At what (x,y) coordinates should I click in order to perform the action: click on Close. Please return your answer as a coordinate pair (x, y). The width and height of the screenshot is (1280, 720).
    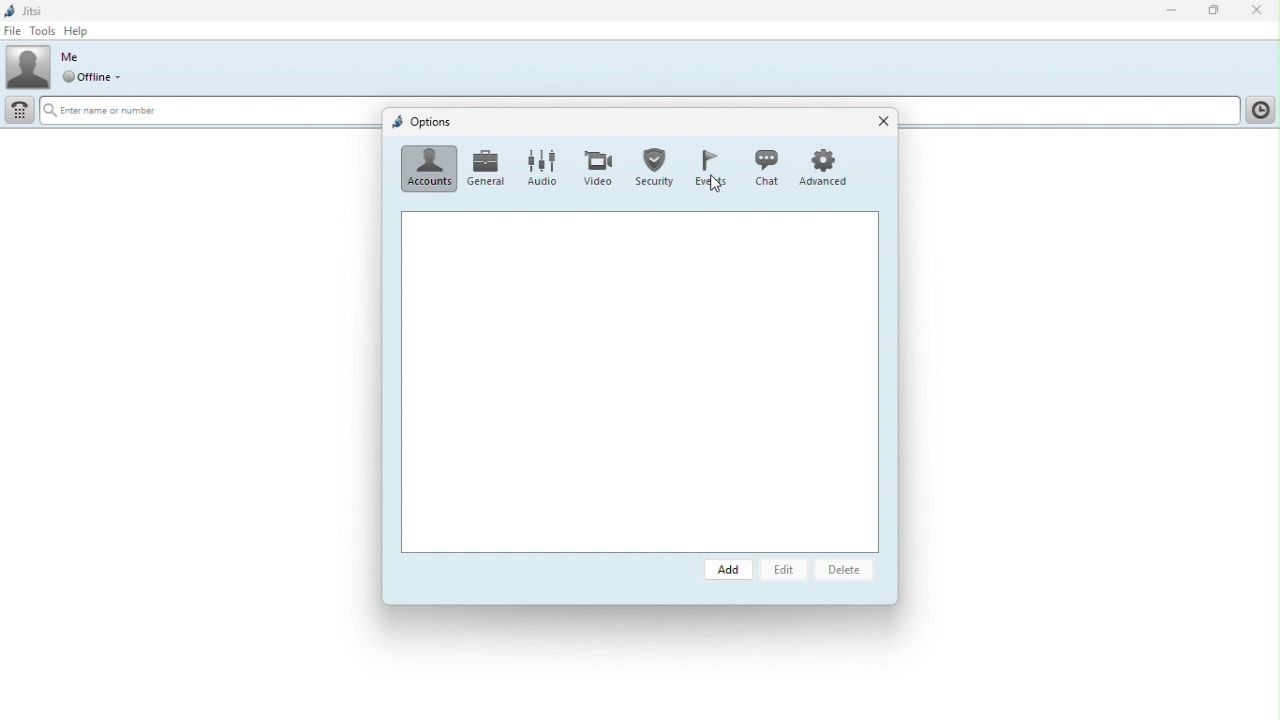
    Looking at the image, I should click on (879, 122).